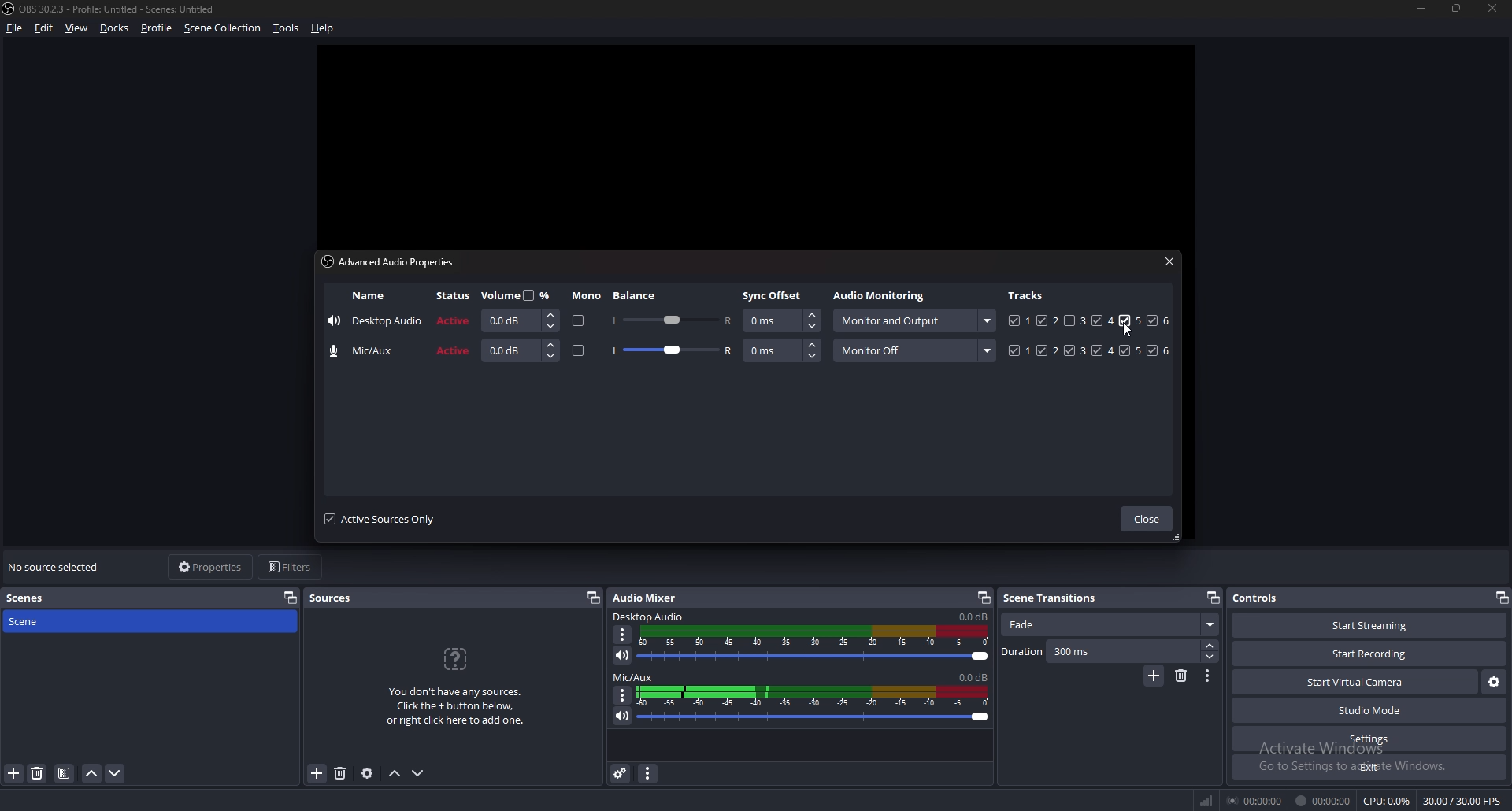  I want to click on scene collection, so click(224, 28).